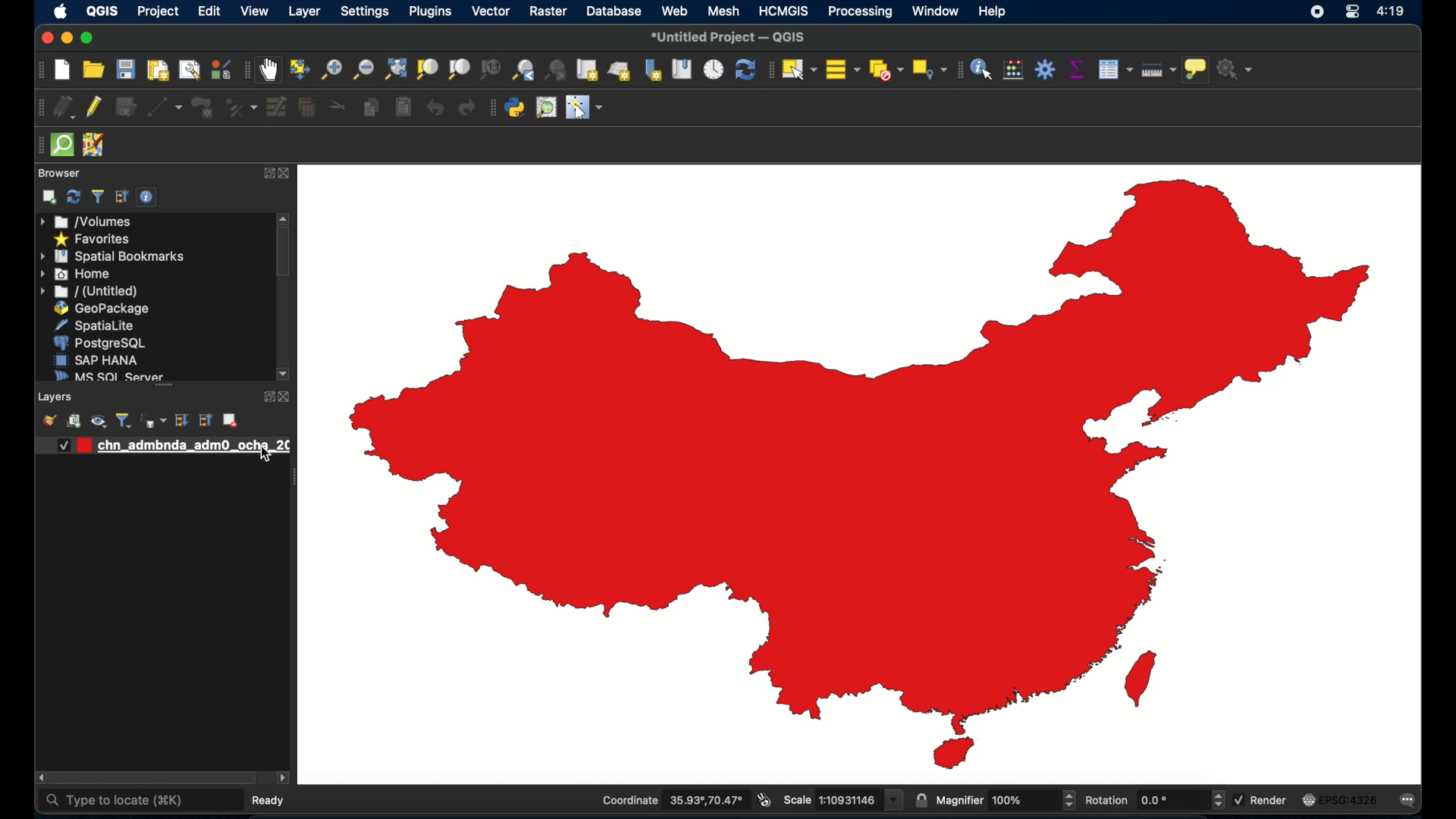 The image size is (1456, 819). What do you see at coordinates (106, 375) in the screenshot?
I see `ms sql server` at bounding box center [106, 375].